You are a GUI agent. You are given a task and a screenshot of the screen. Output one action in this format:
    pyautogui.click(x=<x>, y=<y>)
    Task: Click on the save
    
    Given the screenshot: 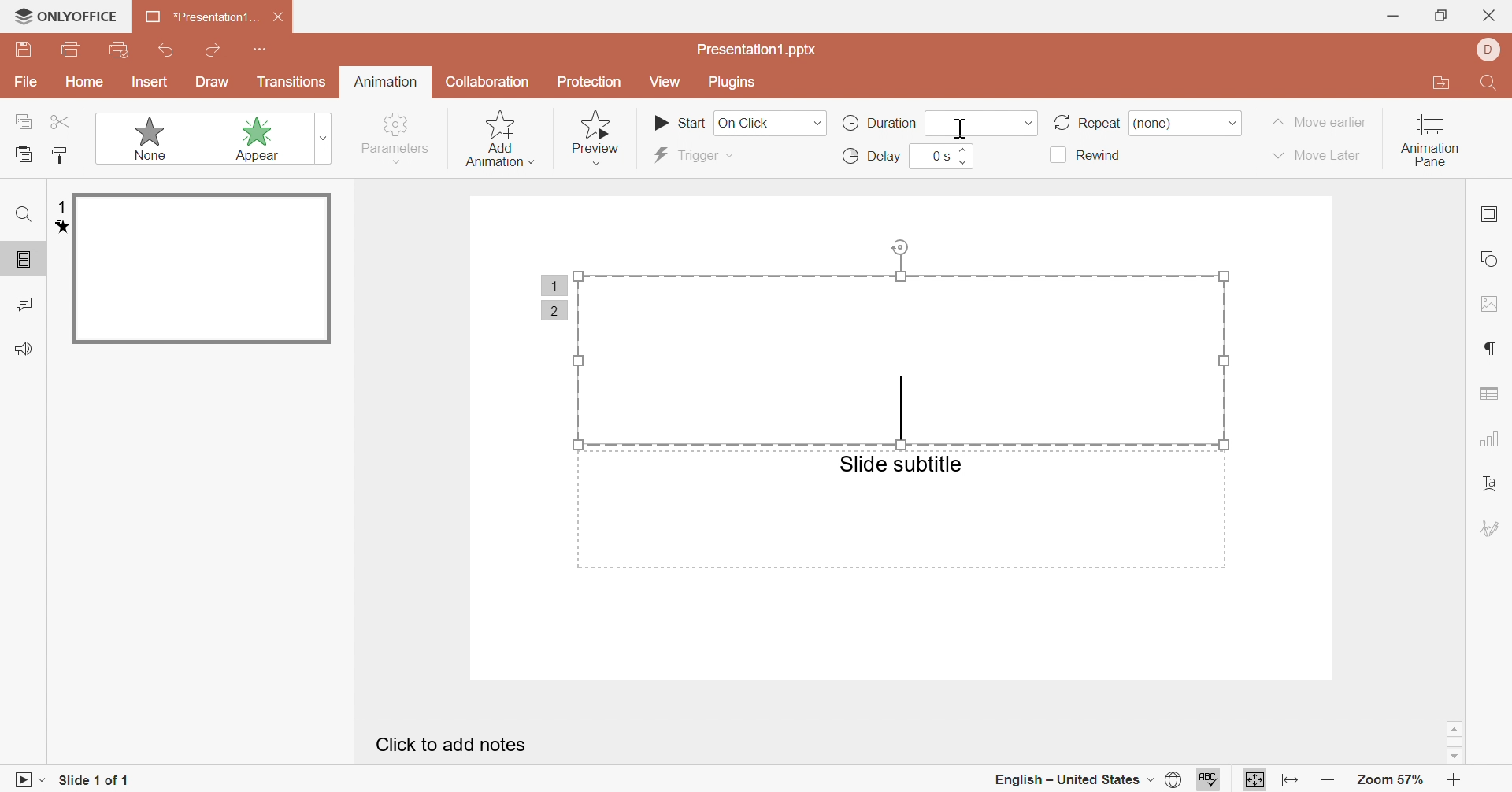 What is the action you would take?
    pyautogui.click(x=24, y=49)
    